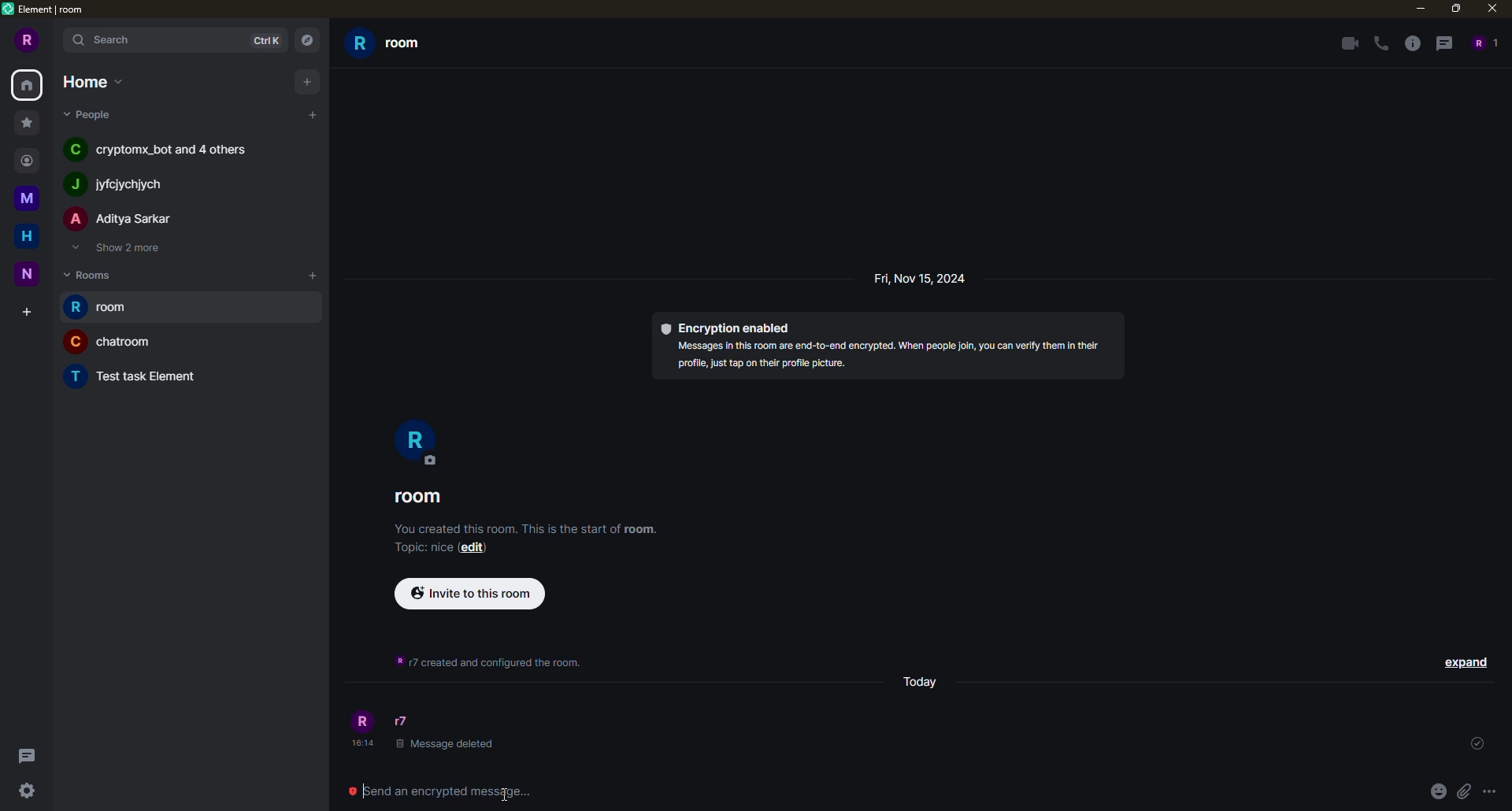 This screenshot has height=811, width=1512. I want to click on profile, so click(417, 445).